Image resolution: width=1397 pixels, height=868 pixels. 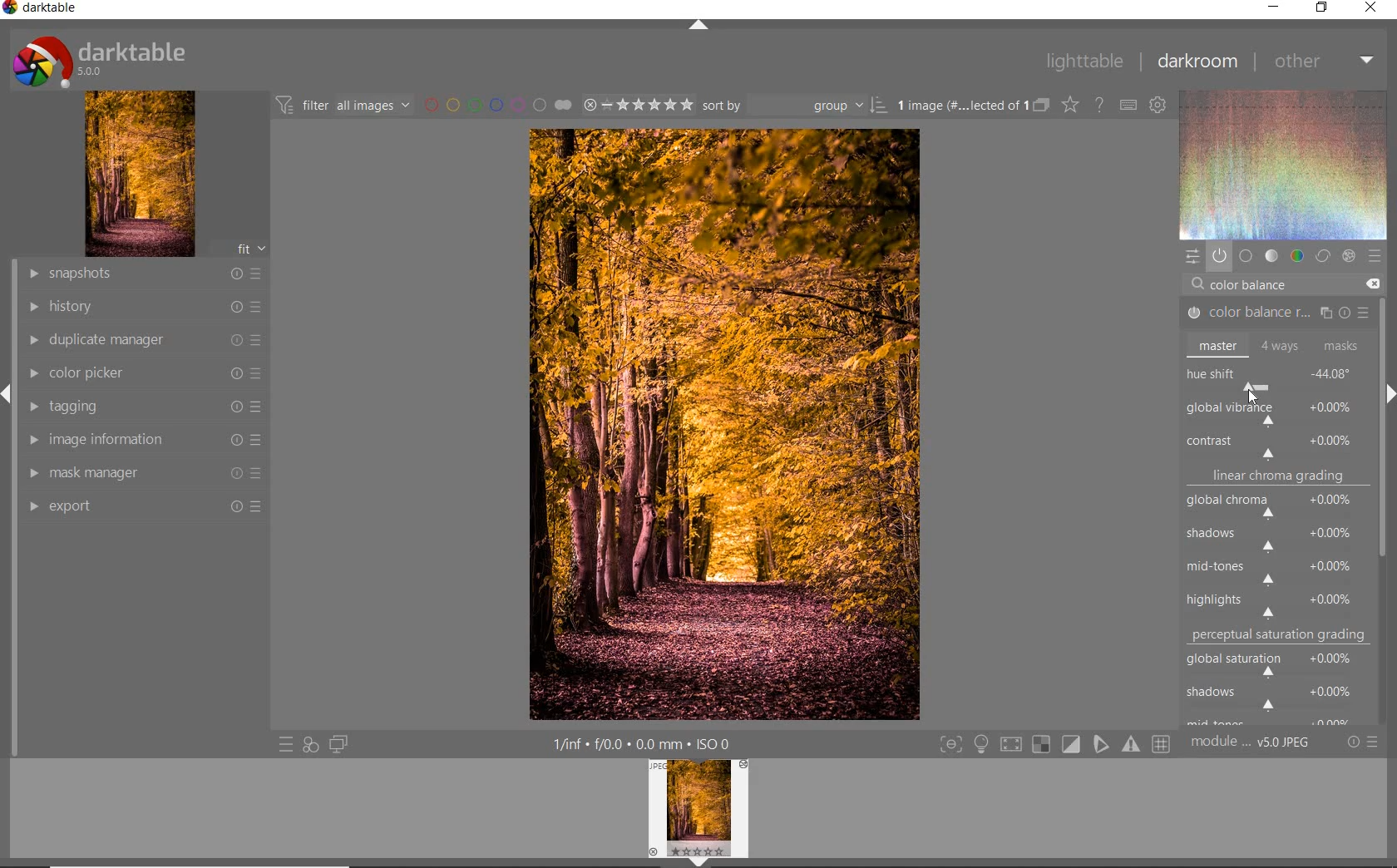 What do you see at coordinates (794, 106) in the screenshot?
I see `sort` at bounding box center [794, 106].